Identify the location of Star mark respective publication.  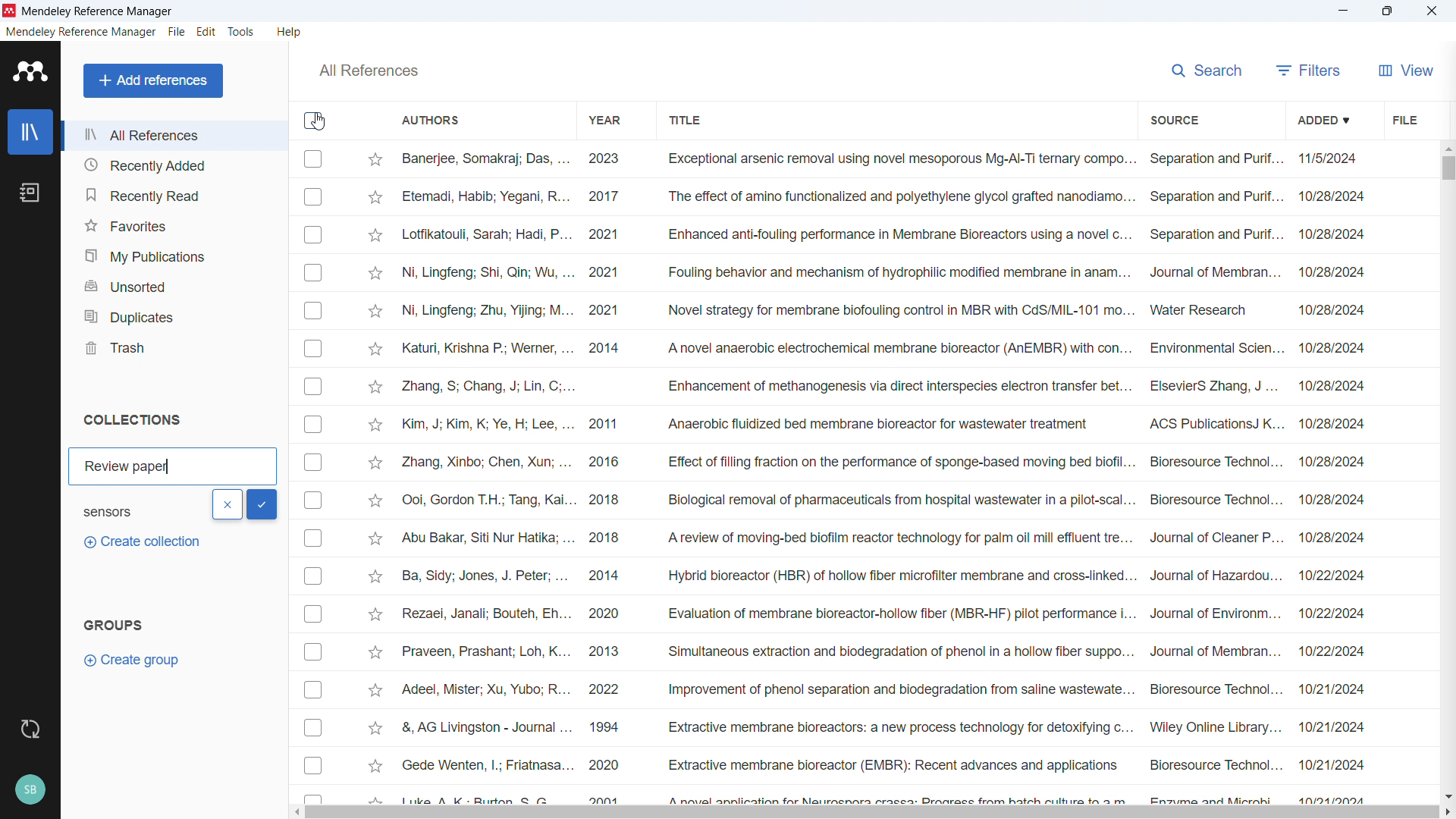
(375, 538).